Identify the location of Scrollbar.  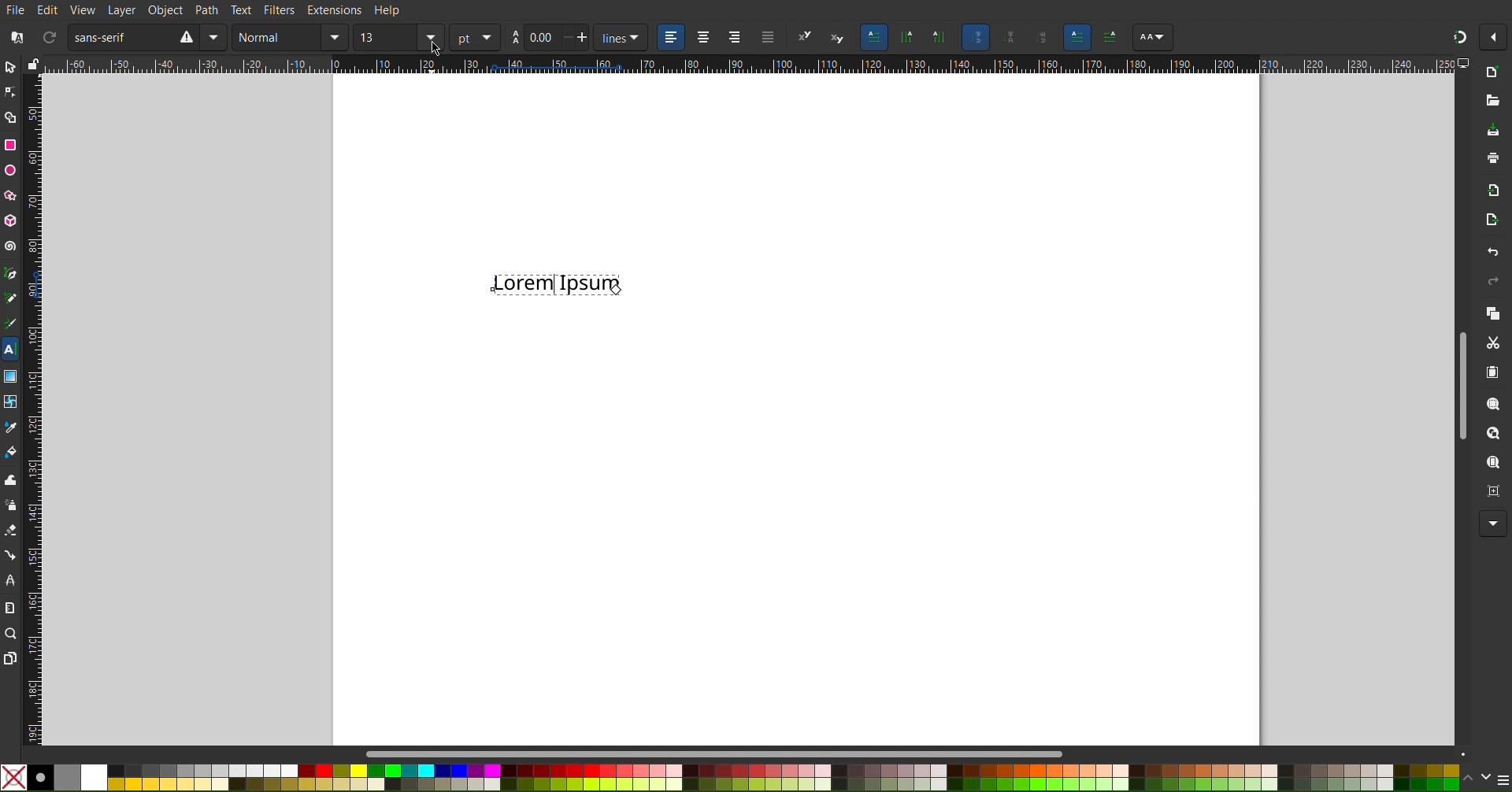
(917, 751).